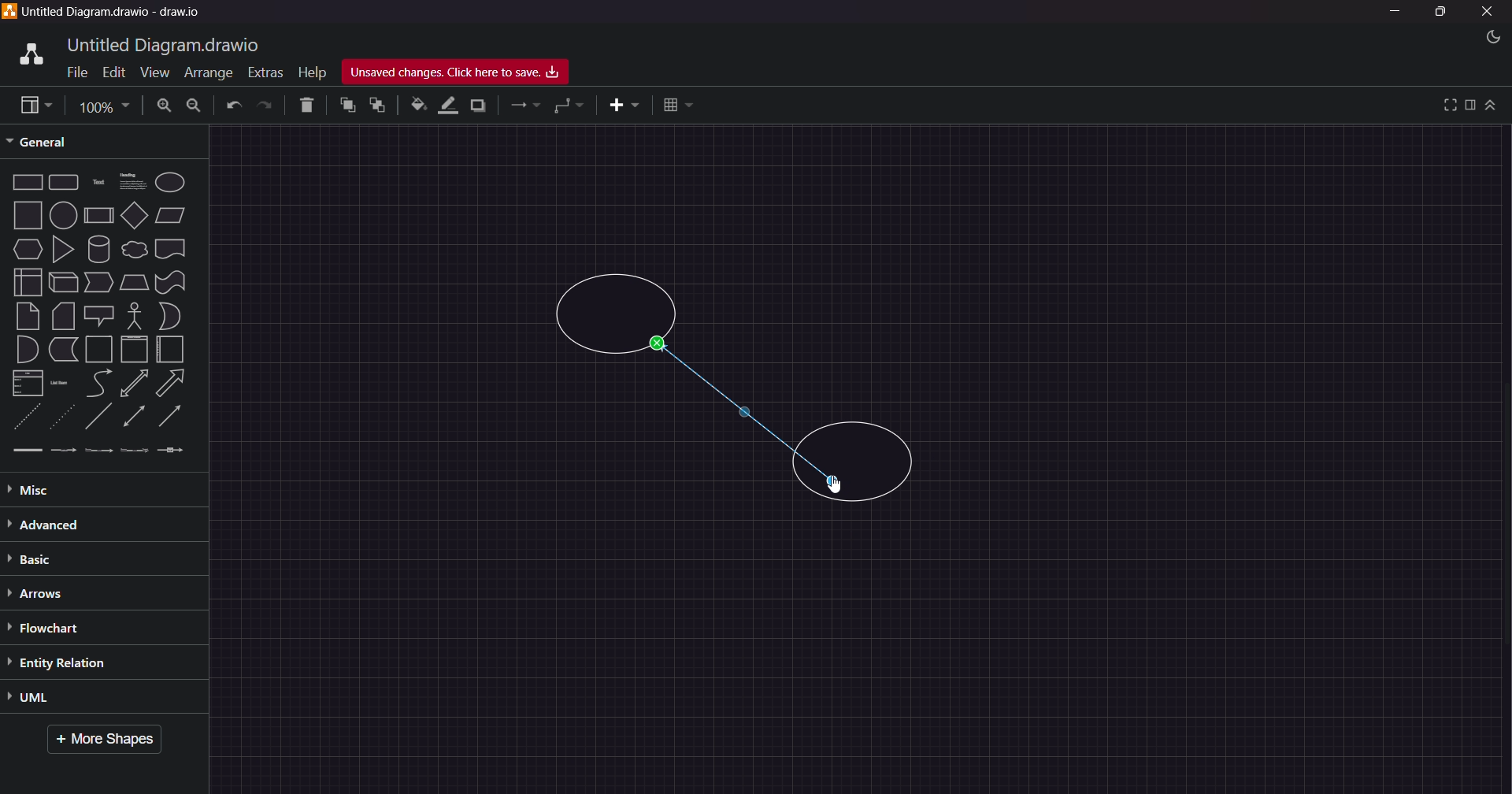 This screenshot has height=794, width=1512. What do you see at coordinates (1484, 37) in the screenshot?
I see `Night Mode` at bounding box center [1484, 37].